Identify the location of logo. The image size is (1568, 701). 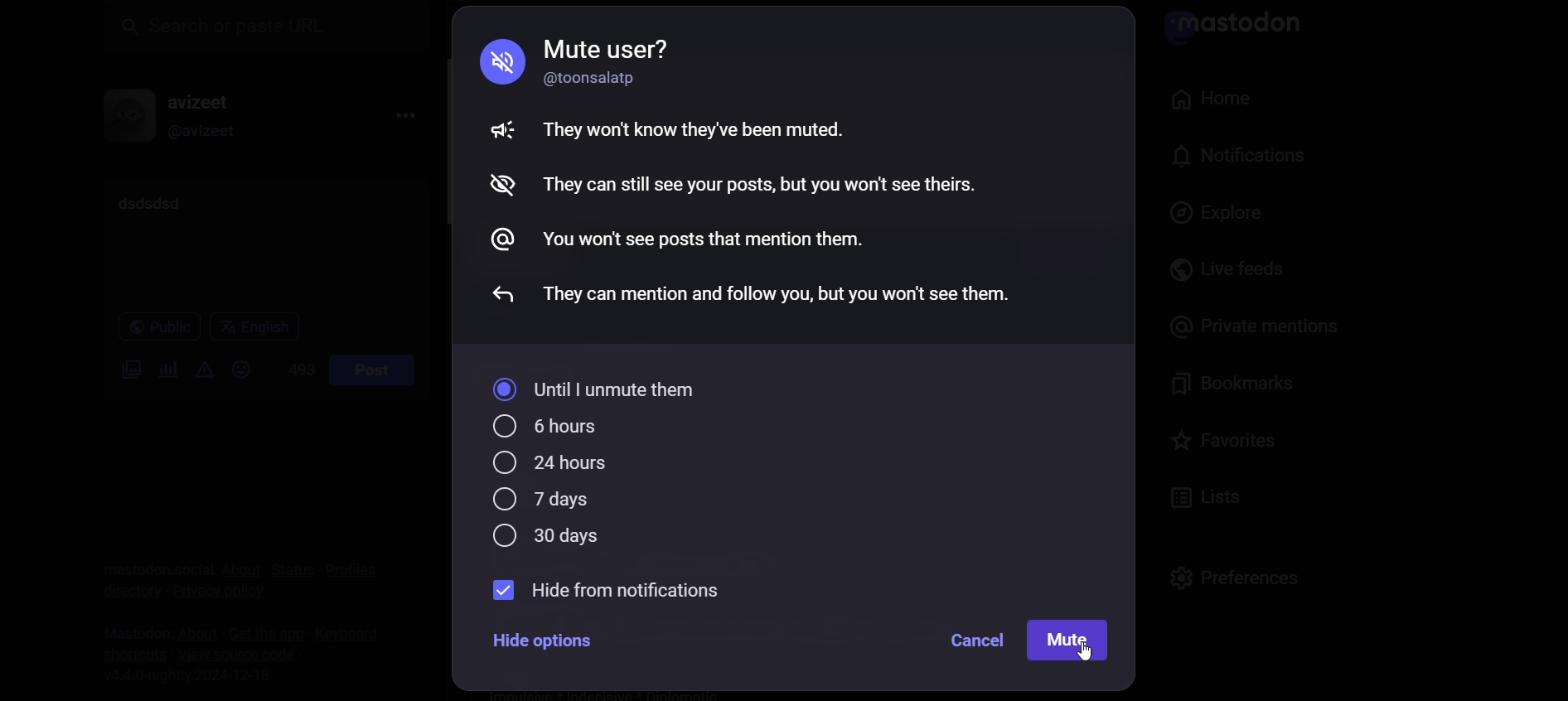
(1240, 28).